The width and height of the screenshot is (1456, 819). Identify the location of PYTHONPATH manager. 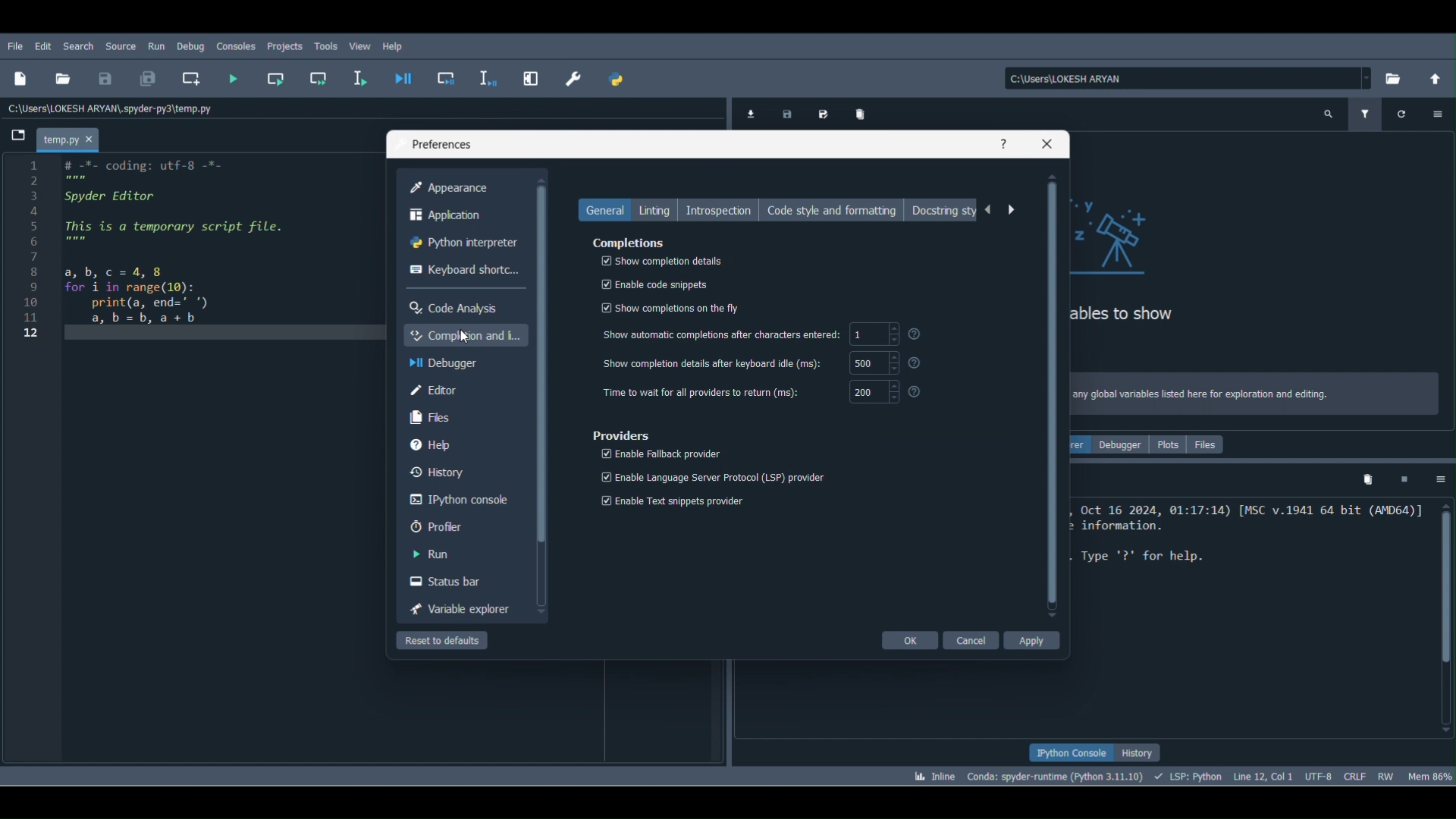
(623, 80).